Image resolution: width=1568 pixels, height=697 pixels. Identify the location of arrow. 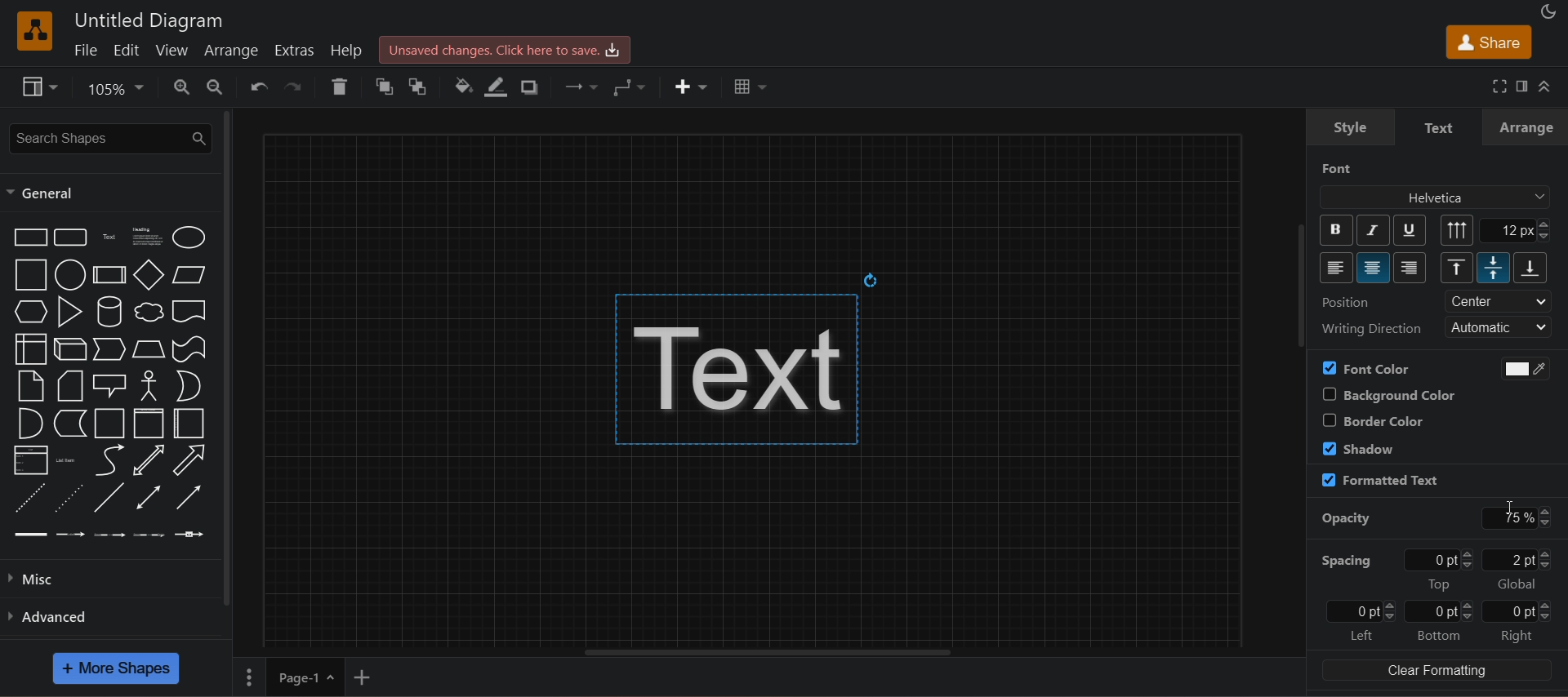
(191, 460).